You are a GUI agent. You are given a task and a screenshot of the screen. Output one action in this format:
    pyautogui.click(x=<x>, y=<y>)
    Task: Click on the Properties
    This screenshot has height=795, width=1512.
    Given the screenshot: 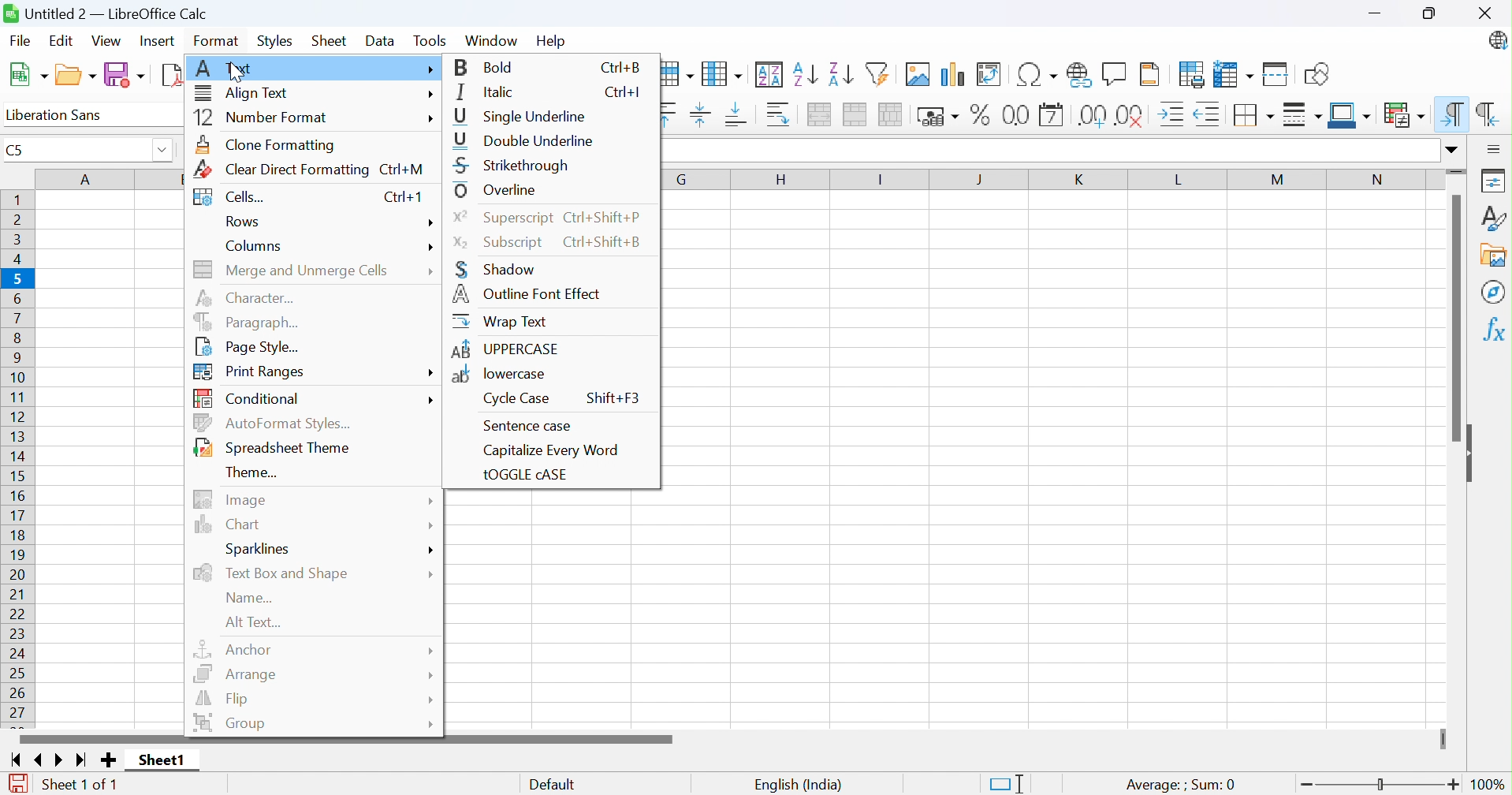 What is the action you would take?
    pyautogui.click(x=1495, y=181)
    